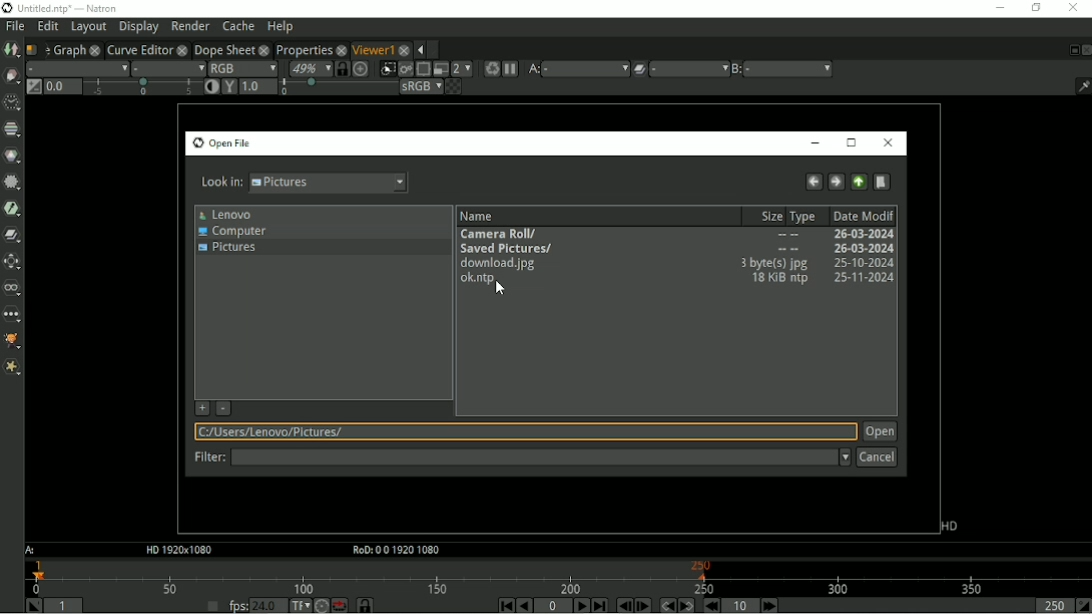  Describe the element at coordinates (737, 69) in the screenshot. I see `Viewer input B` at that location.